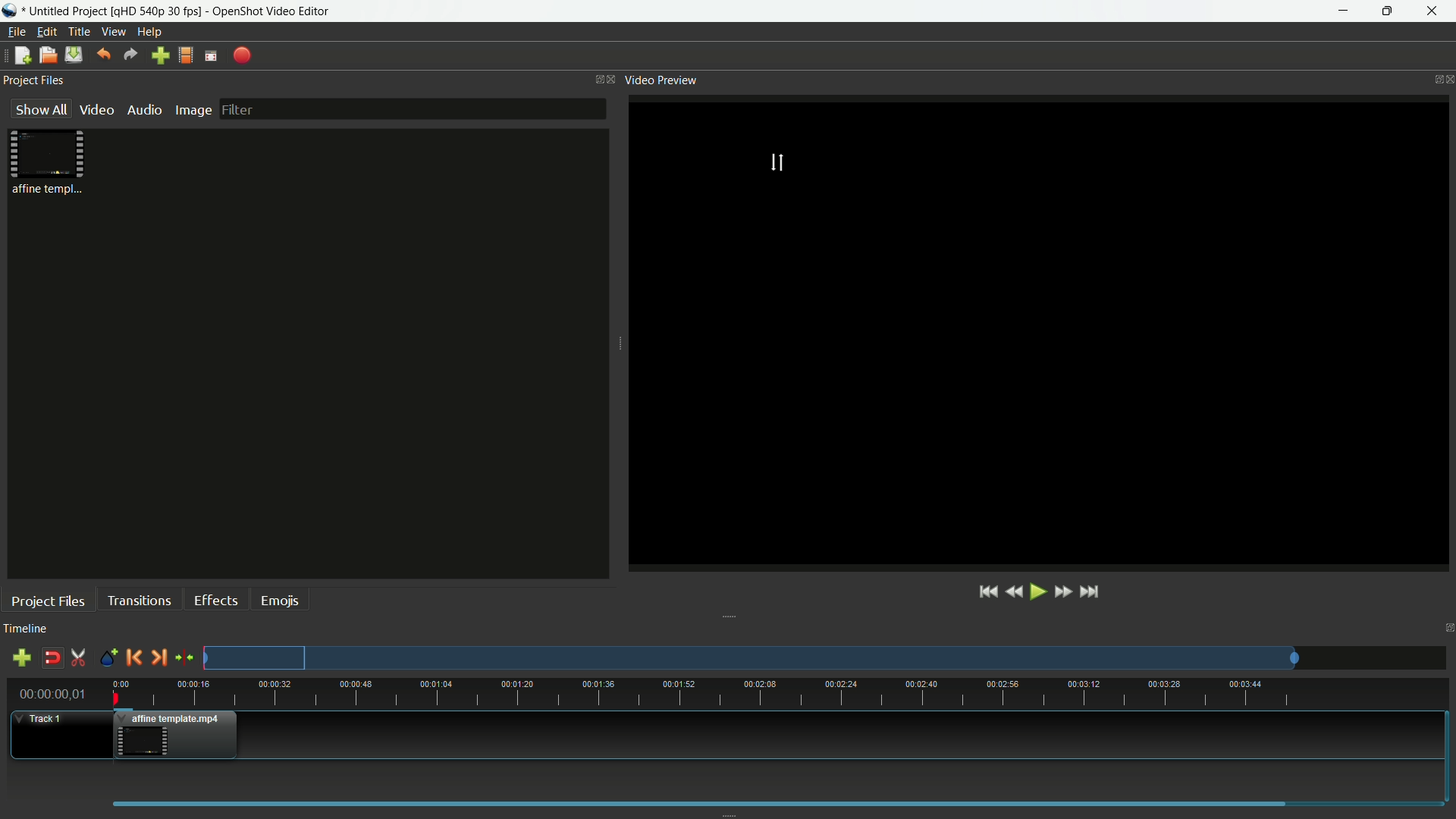 The height and width of the screenshot is (819, 1456). Describe the element at coordinates (1436, 11) in the screenshot. I see `close app` at that location.